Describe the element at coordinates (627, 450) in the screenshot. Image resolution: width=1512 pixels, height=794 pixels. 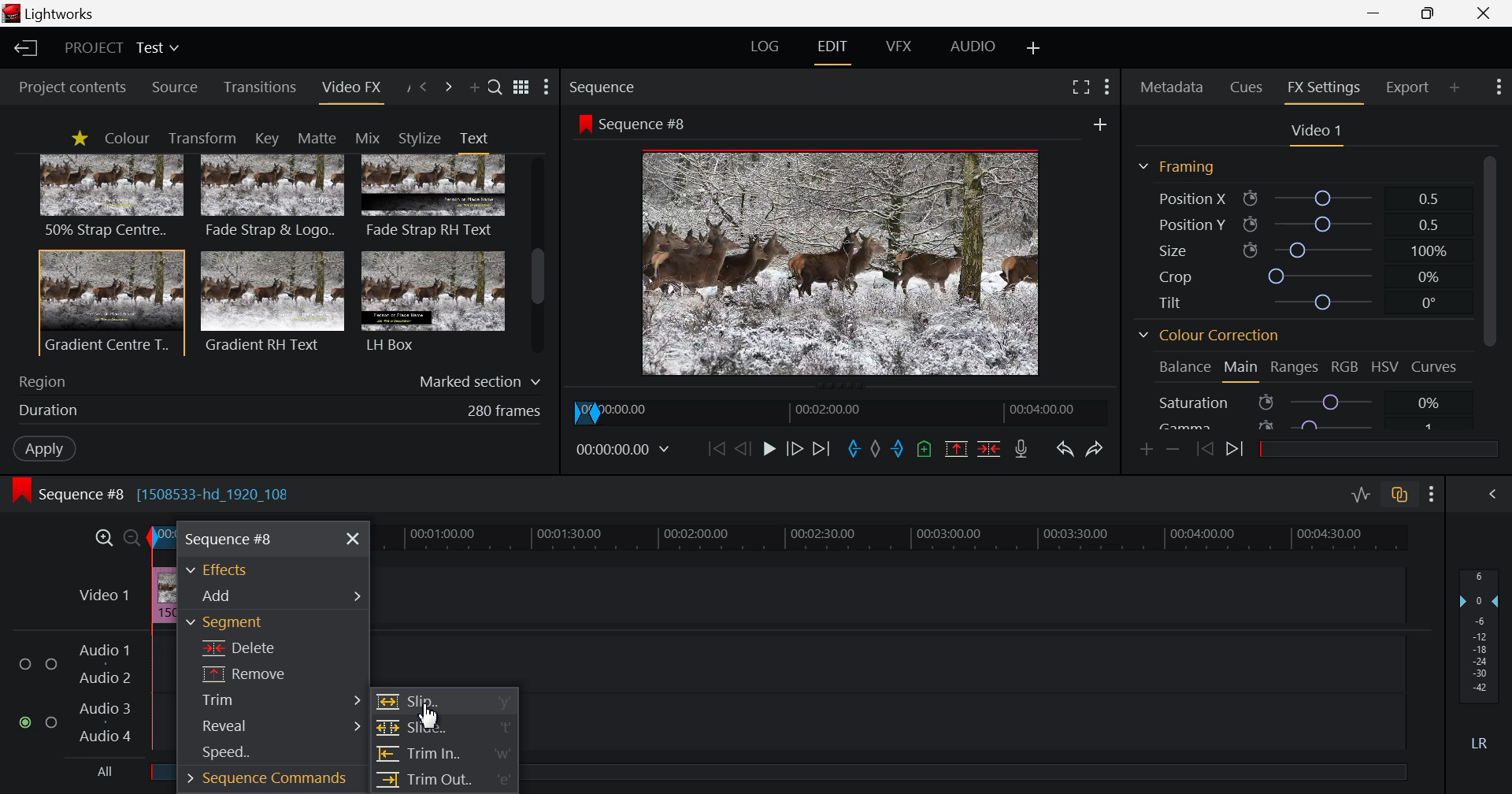
I see `Frame Time` at that location.